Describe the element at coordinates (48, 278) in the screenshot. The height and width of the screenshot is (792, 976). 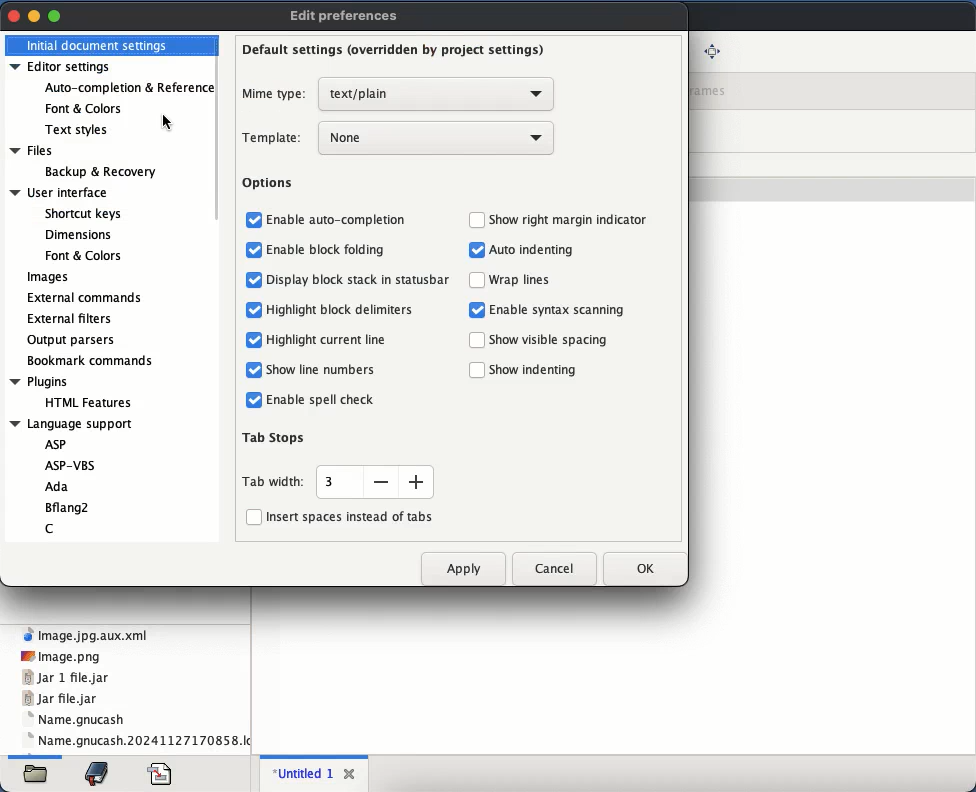
I see `images` at that location.